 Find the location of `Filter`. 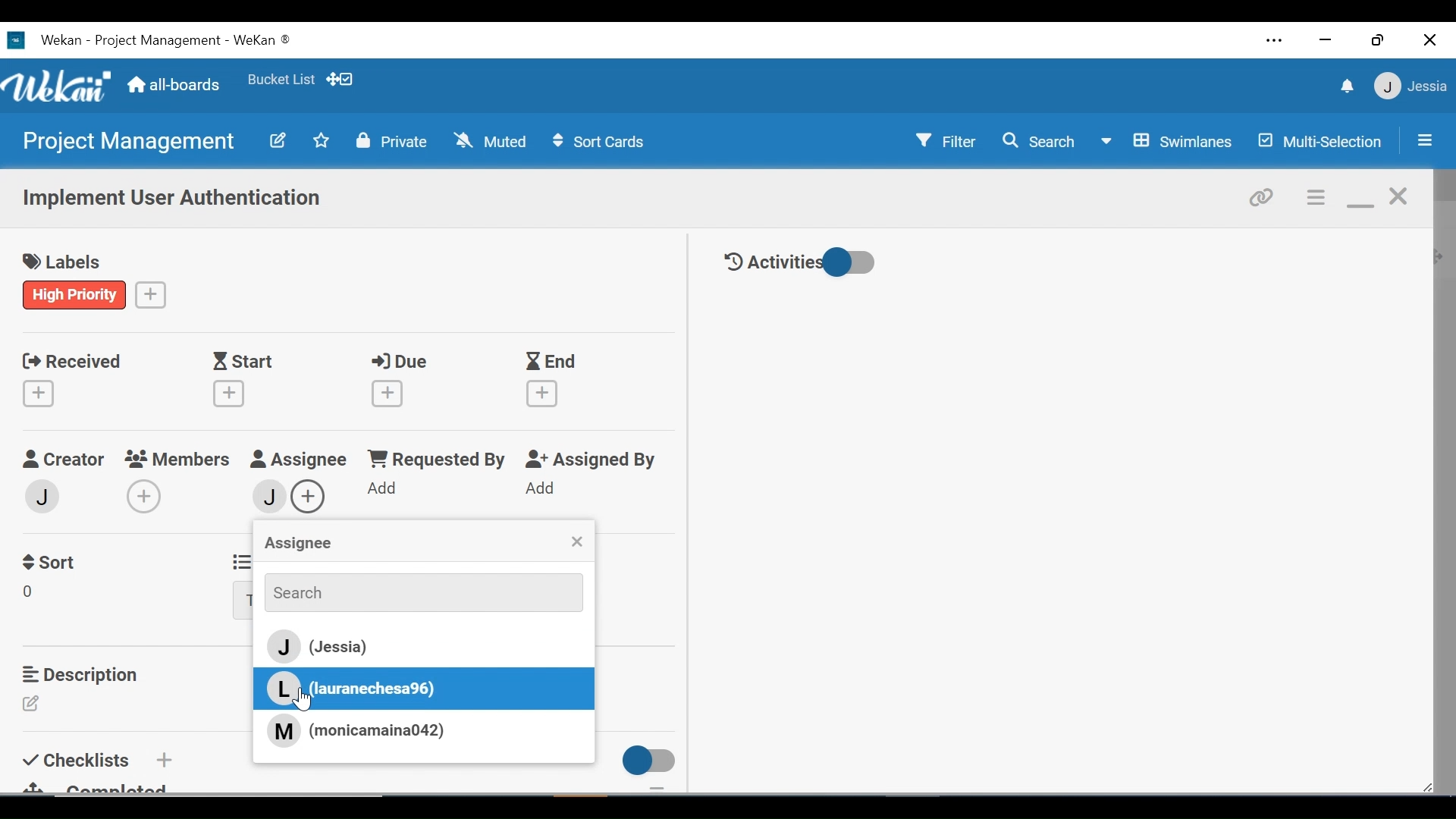

Filter is located at coordinates (947, 140).